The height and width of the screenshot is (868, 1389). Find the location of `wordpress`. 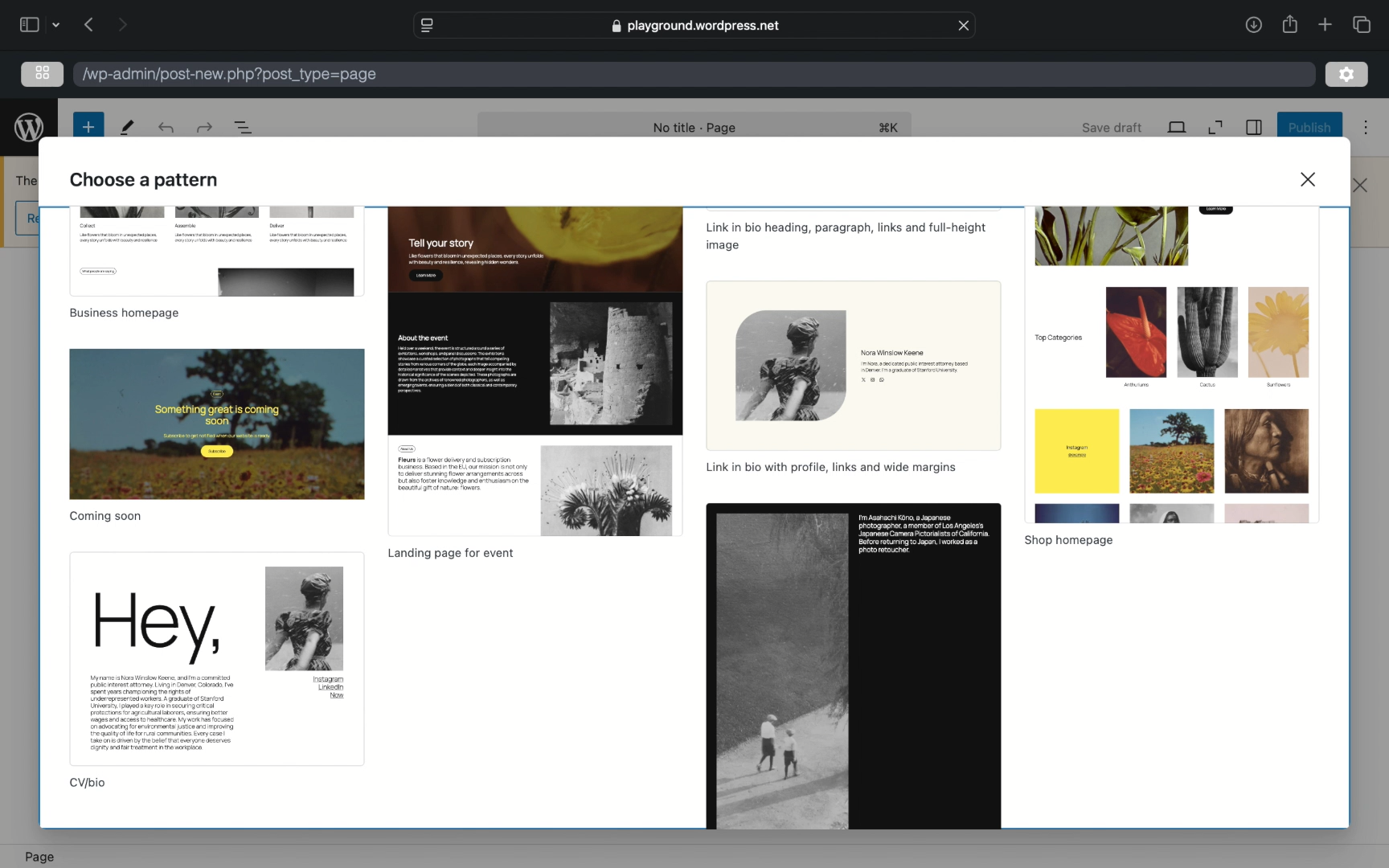

wordpress is located at coordinates (29, 128).